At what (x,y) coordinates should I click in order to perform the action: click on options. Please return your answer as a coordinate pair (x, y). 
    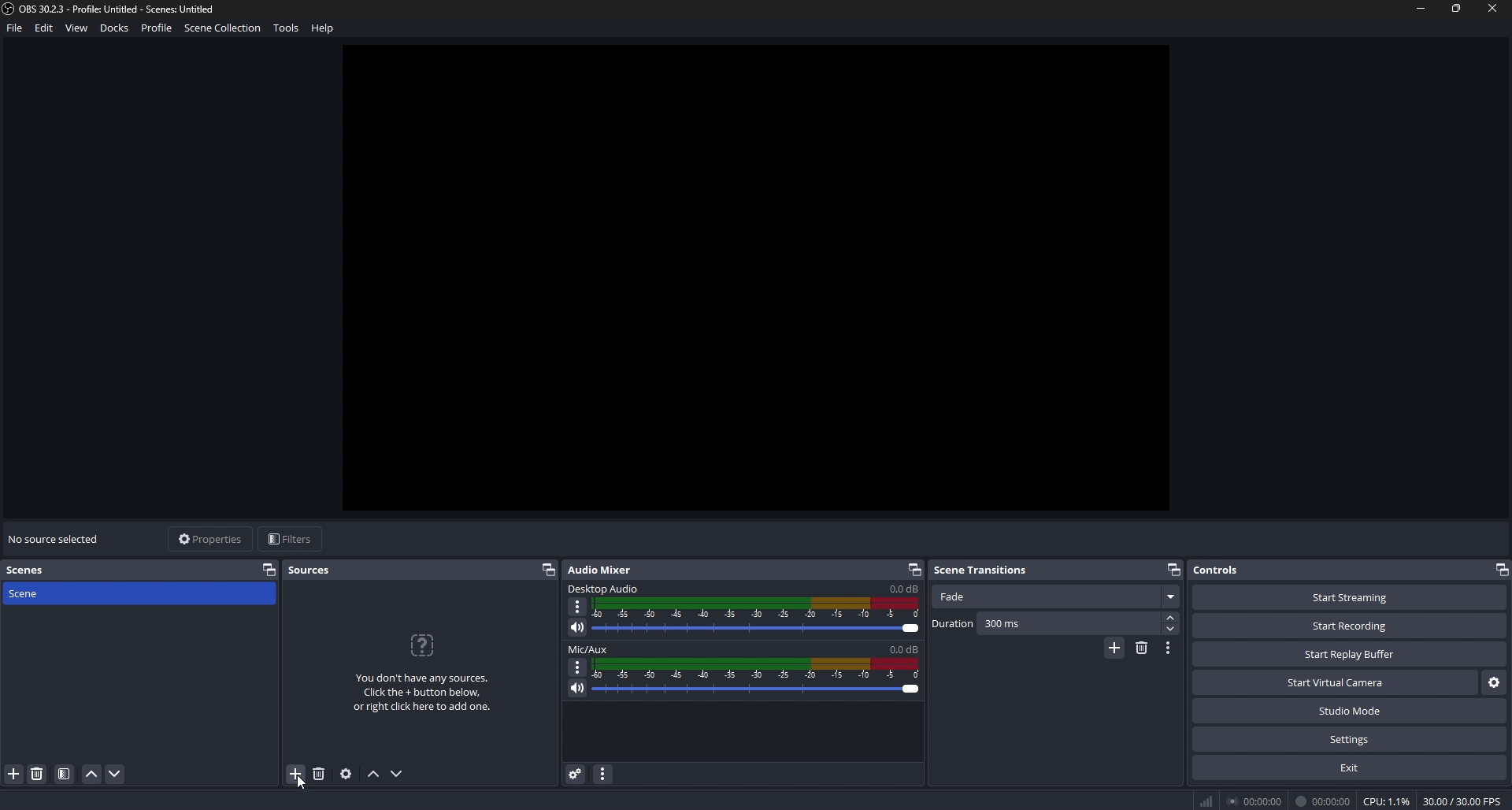
    Looking at the image, I should click on (577, 667).